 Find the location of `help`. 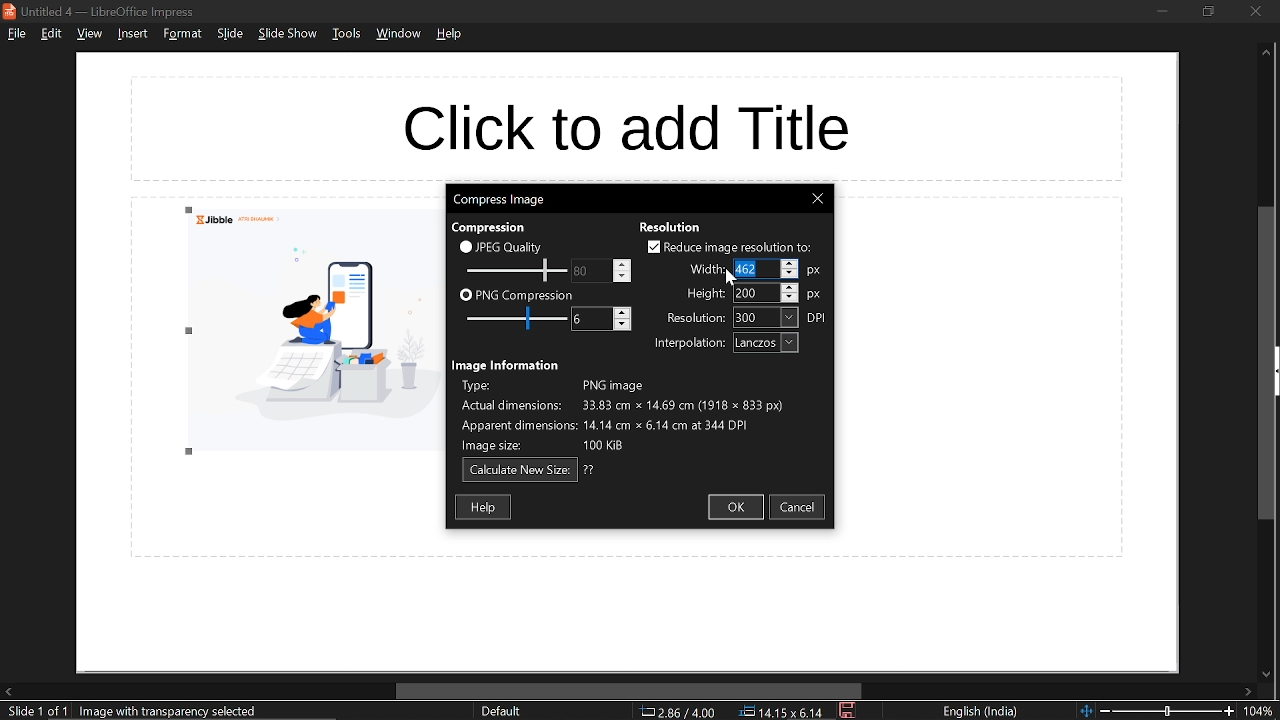

help is located at coordinates (451, 34).